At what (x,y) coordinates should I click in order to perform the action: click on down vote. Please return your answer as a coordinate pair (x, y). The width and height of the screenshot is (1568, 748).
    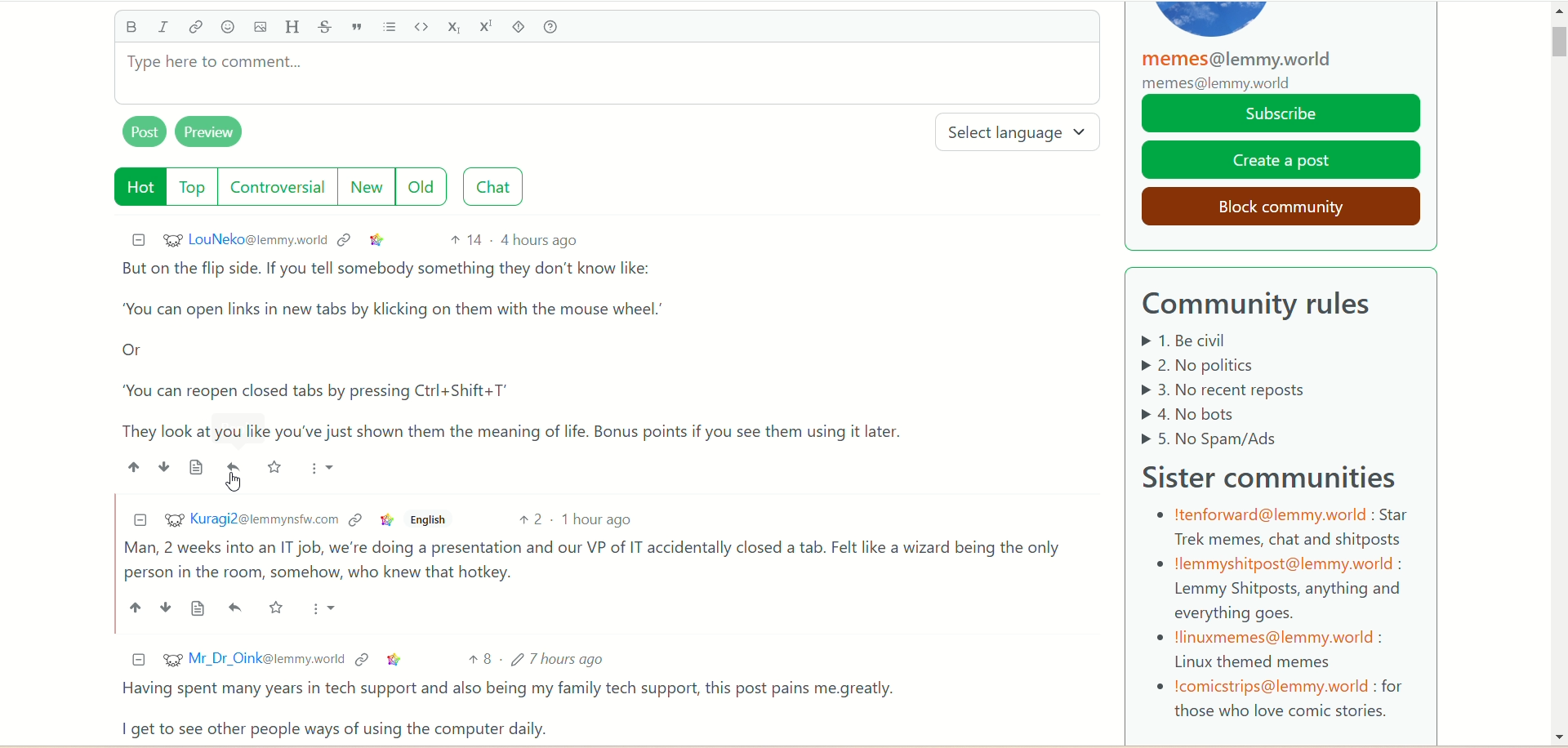
    Looking at the image, I should click on (166, 608).